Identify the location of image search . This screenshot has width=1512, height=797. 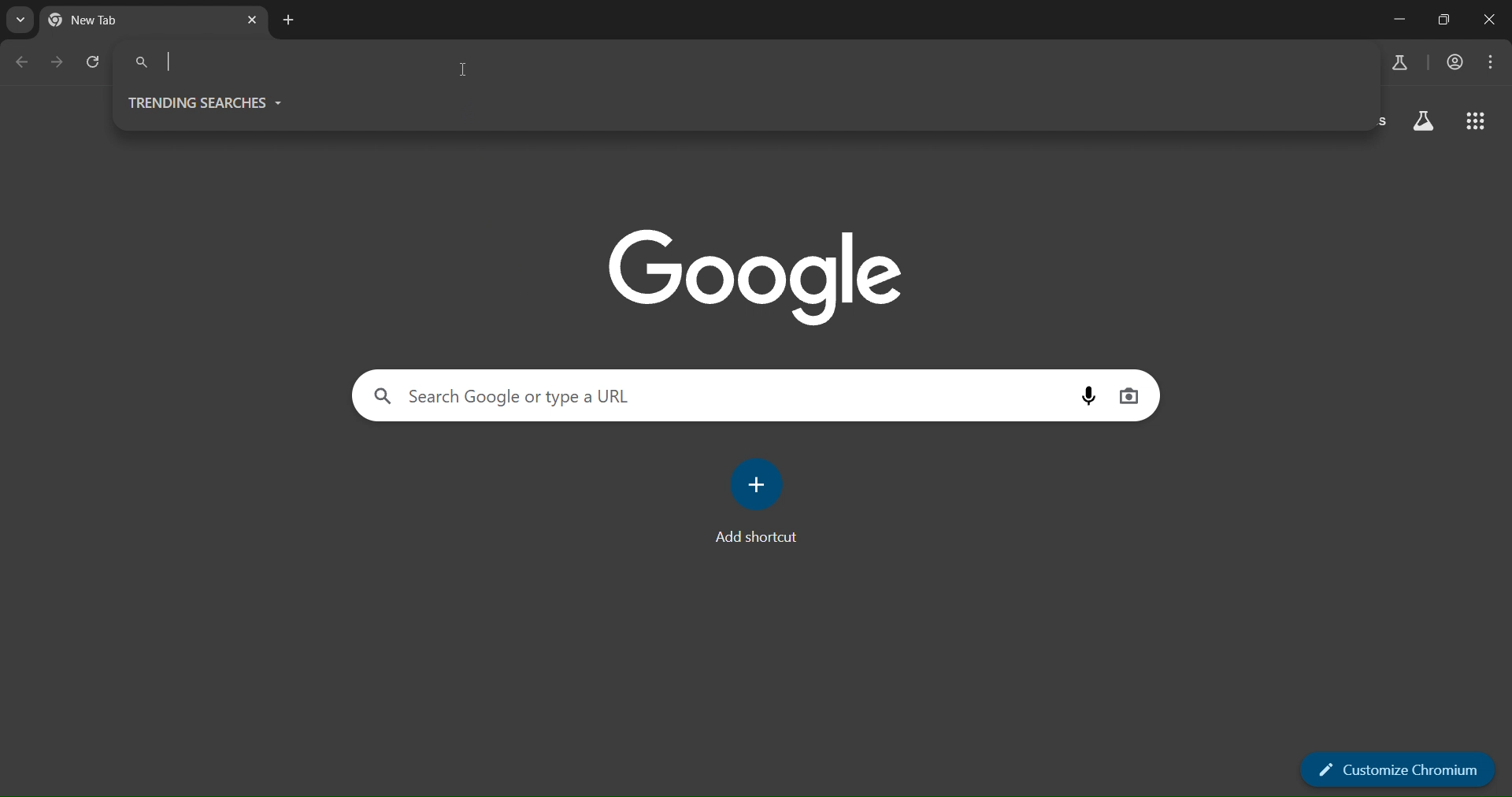
(1132, 395).